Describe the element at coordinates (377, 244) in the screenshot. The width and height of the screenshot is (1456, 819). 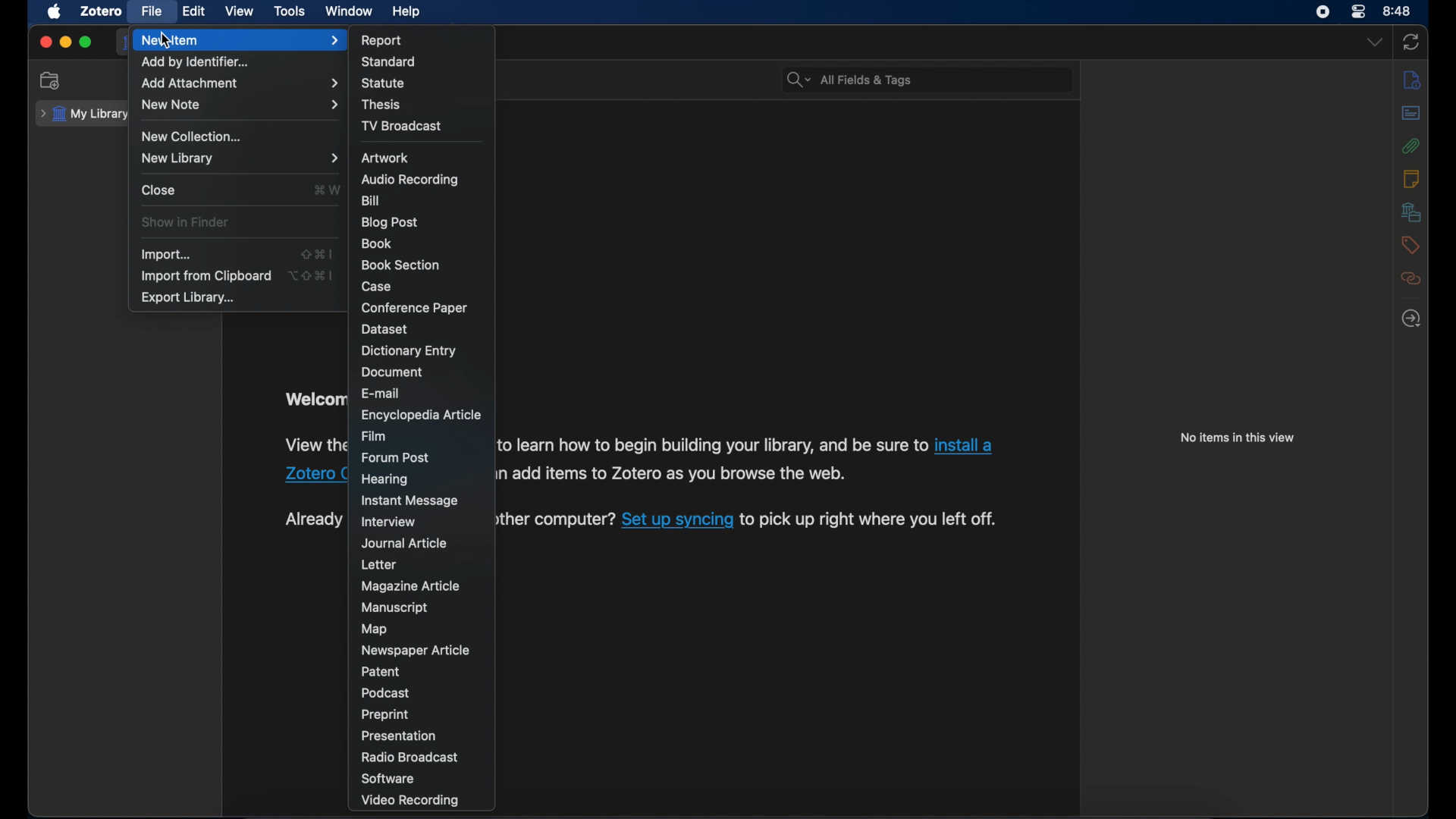
I see `book` at that location.